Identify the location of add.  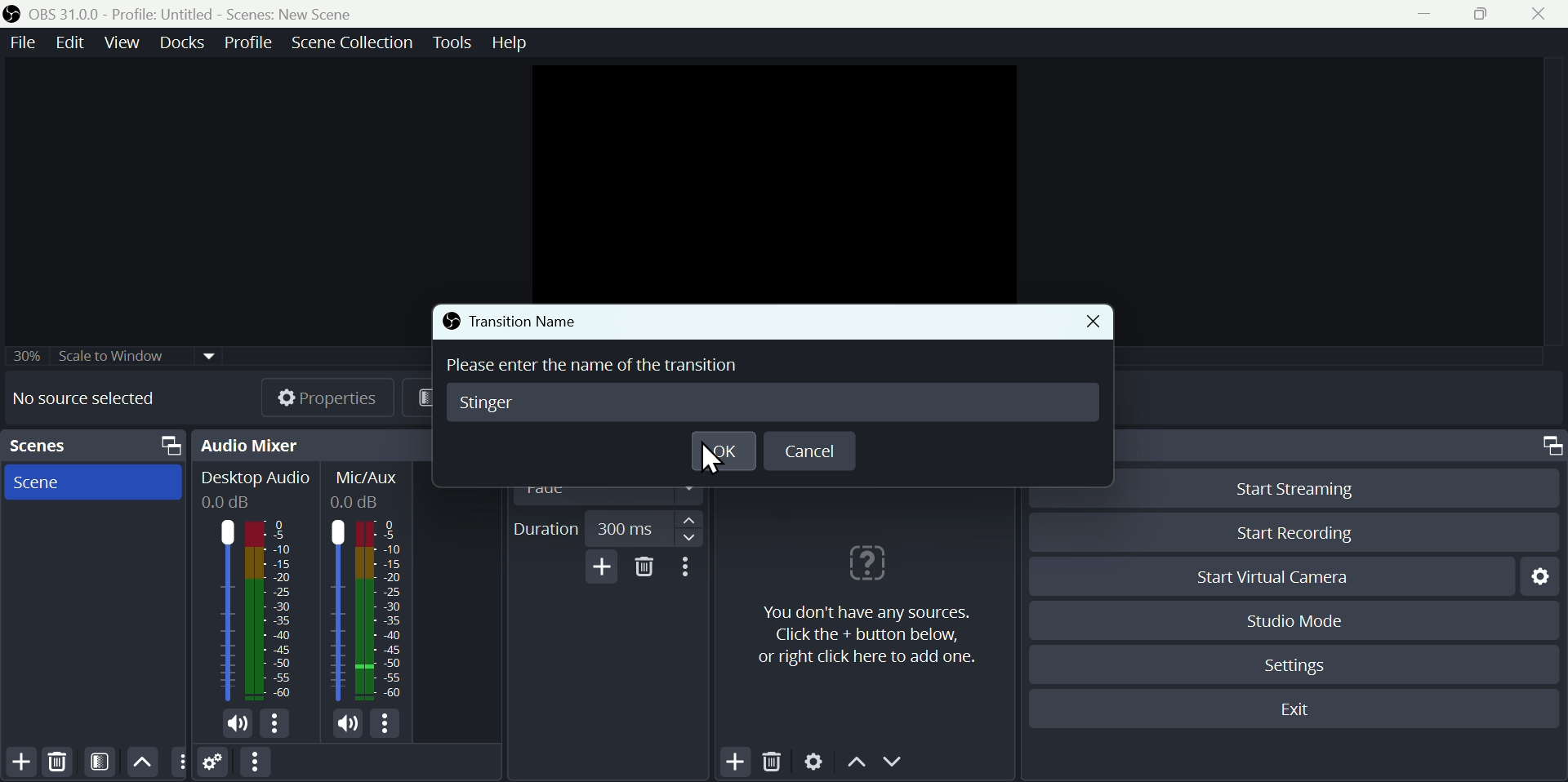
(603, 567).